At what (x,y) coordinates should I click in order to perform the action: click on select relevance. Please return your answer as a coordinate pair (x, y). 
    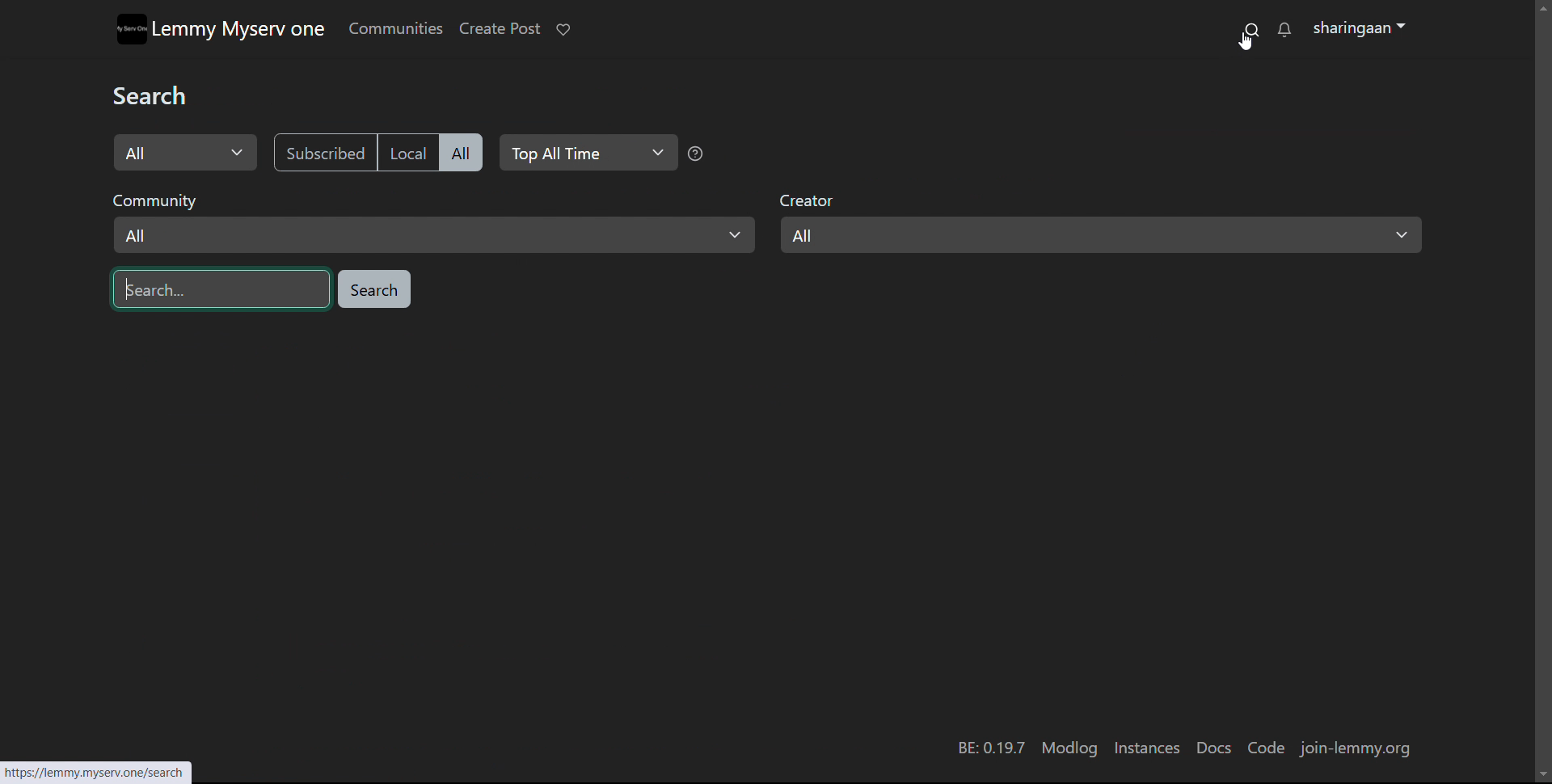
    Looking at the image, I should click on (586, 153).